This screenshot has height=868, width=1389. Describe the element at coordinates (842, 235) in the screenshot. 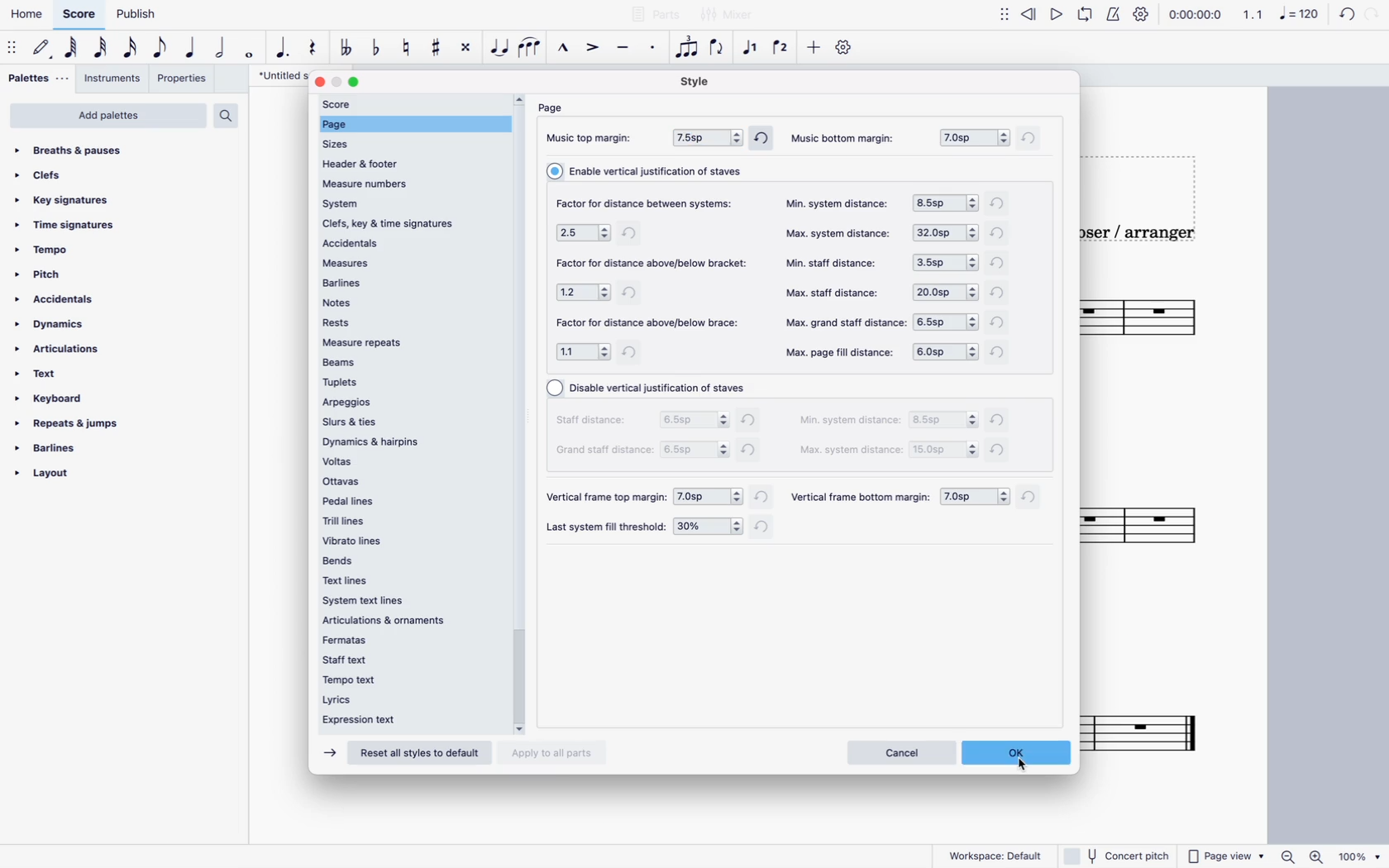

I see `max. system distance` at that location.